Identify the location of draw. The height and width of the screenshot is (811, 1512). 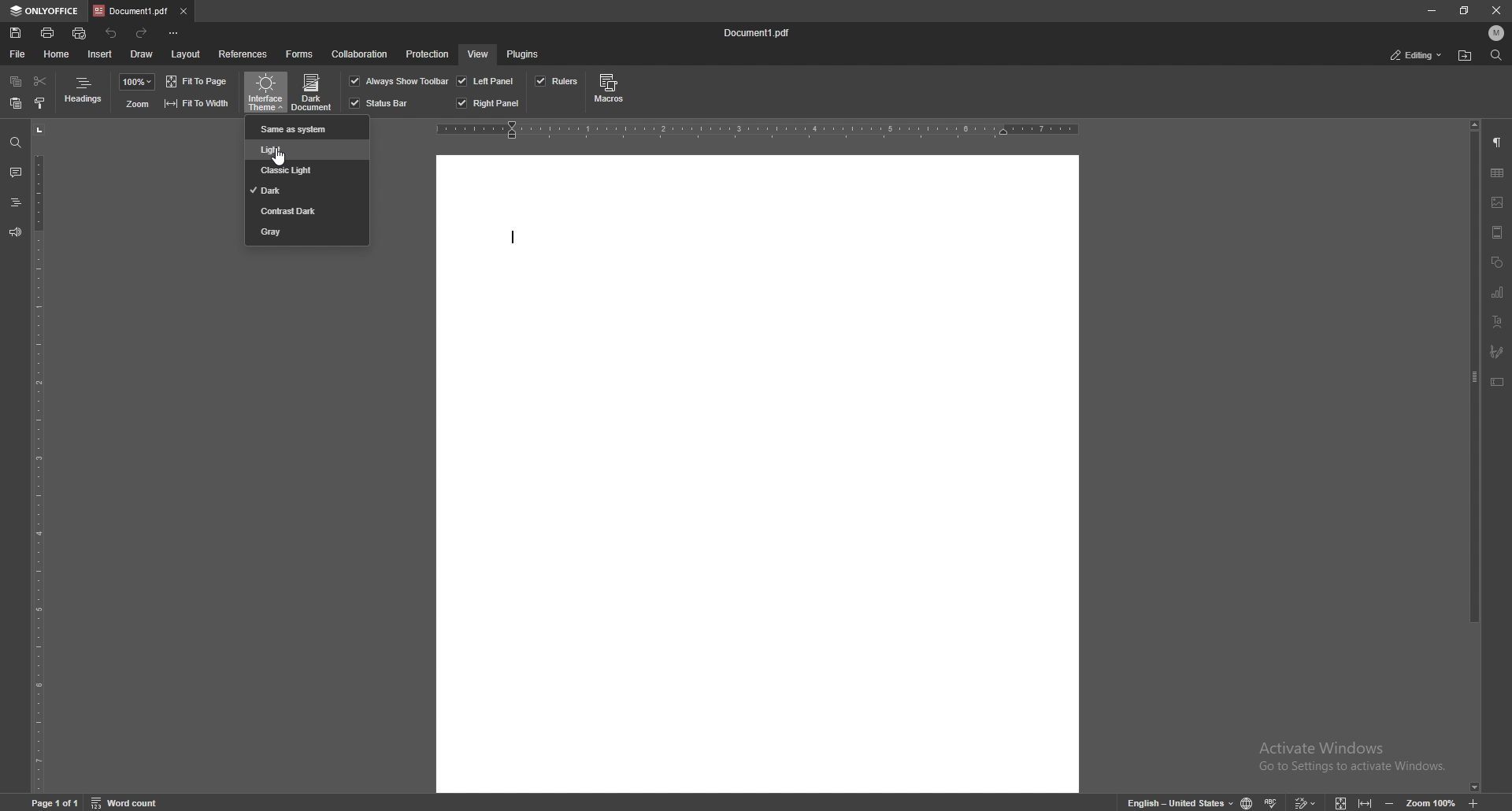
(142, 54).